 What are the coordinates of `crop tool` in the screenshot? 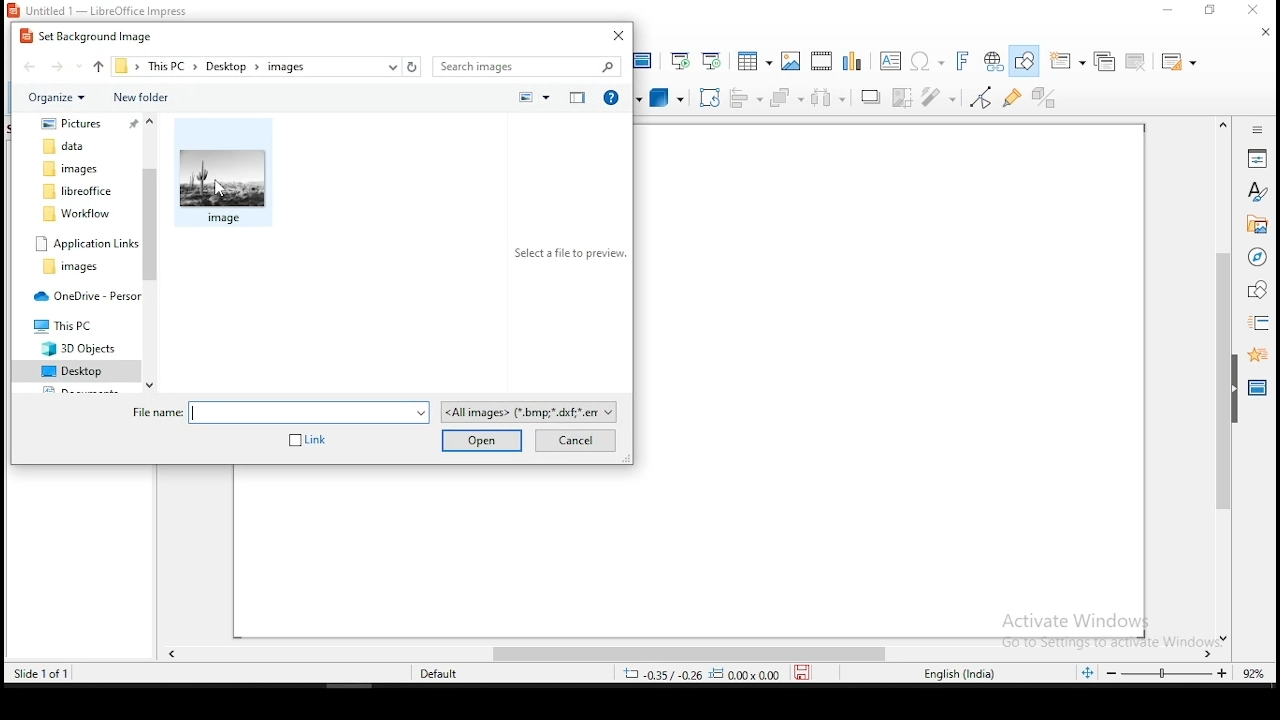 It's located at (709, 98).